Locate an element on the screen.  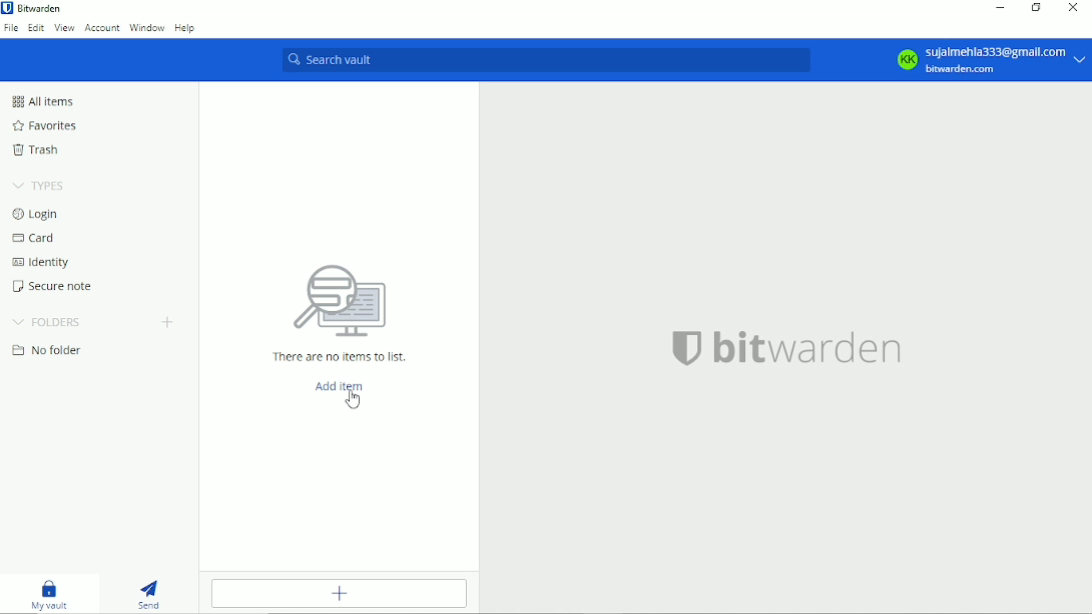
Favorites is located at coordinates (44, 126).